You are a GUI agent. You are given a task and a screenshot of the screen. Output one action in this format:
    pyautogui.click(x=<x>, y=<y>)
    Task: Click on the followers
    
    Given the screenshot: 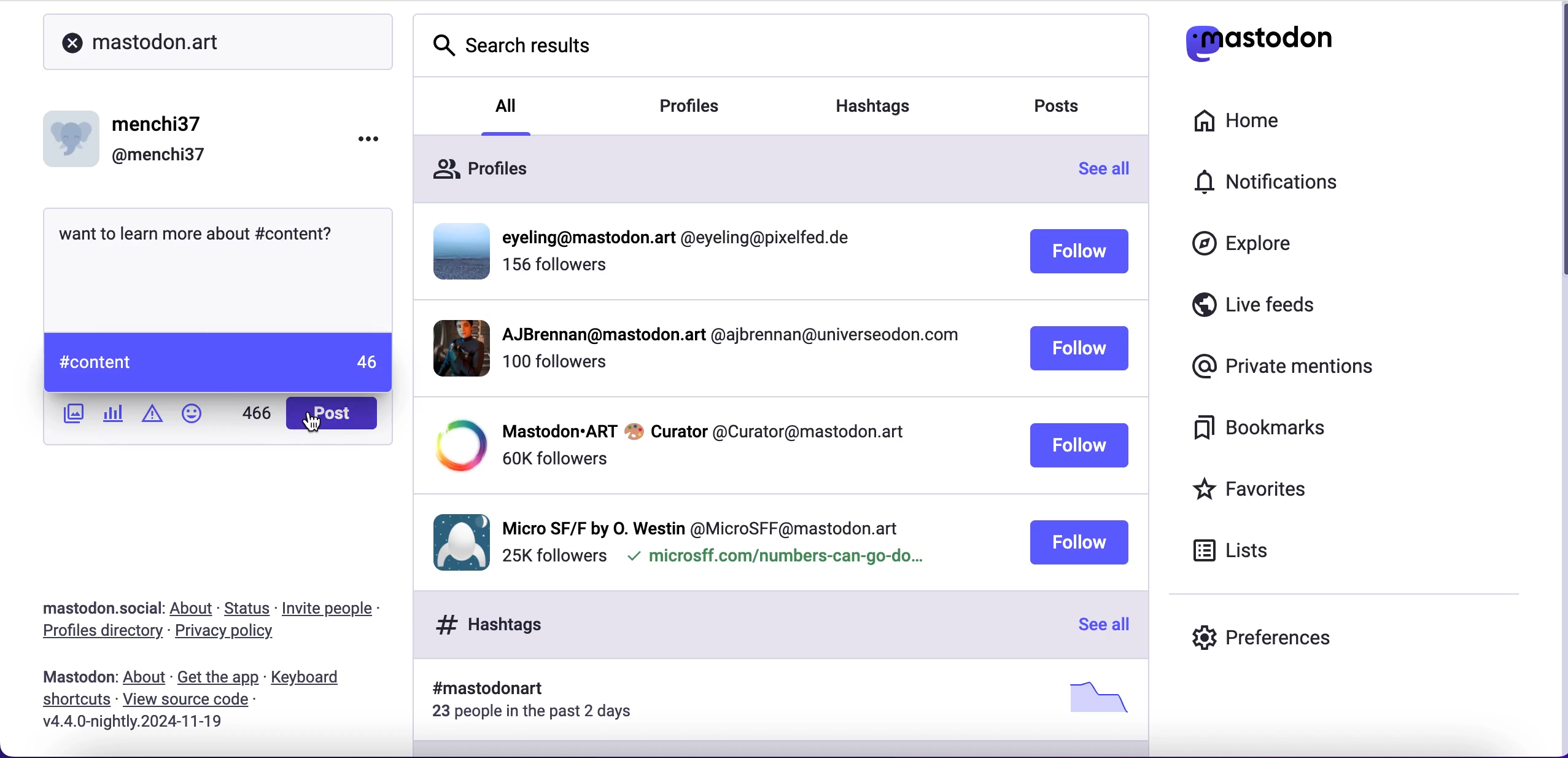 What is the action you would take?
    pyautogui.click(x=557, y=270)
    